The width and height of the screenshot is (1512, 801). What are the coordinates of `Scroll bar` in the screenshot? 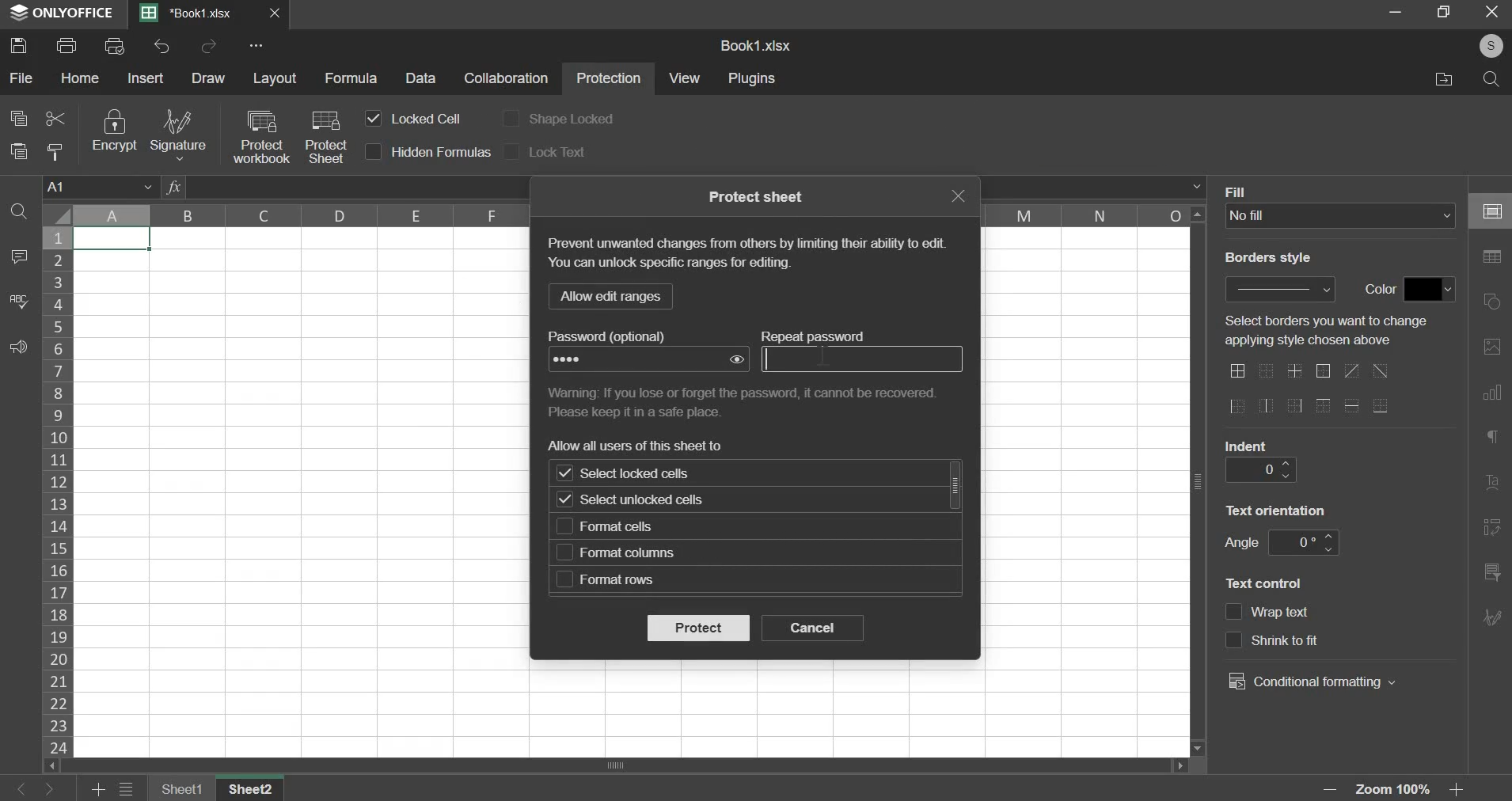 It's located at (1199, 481).